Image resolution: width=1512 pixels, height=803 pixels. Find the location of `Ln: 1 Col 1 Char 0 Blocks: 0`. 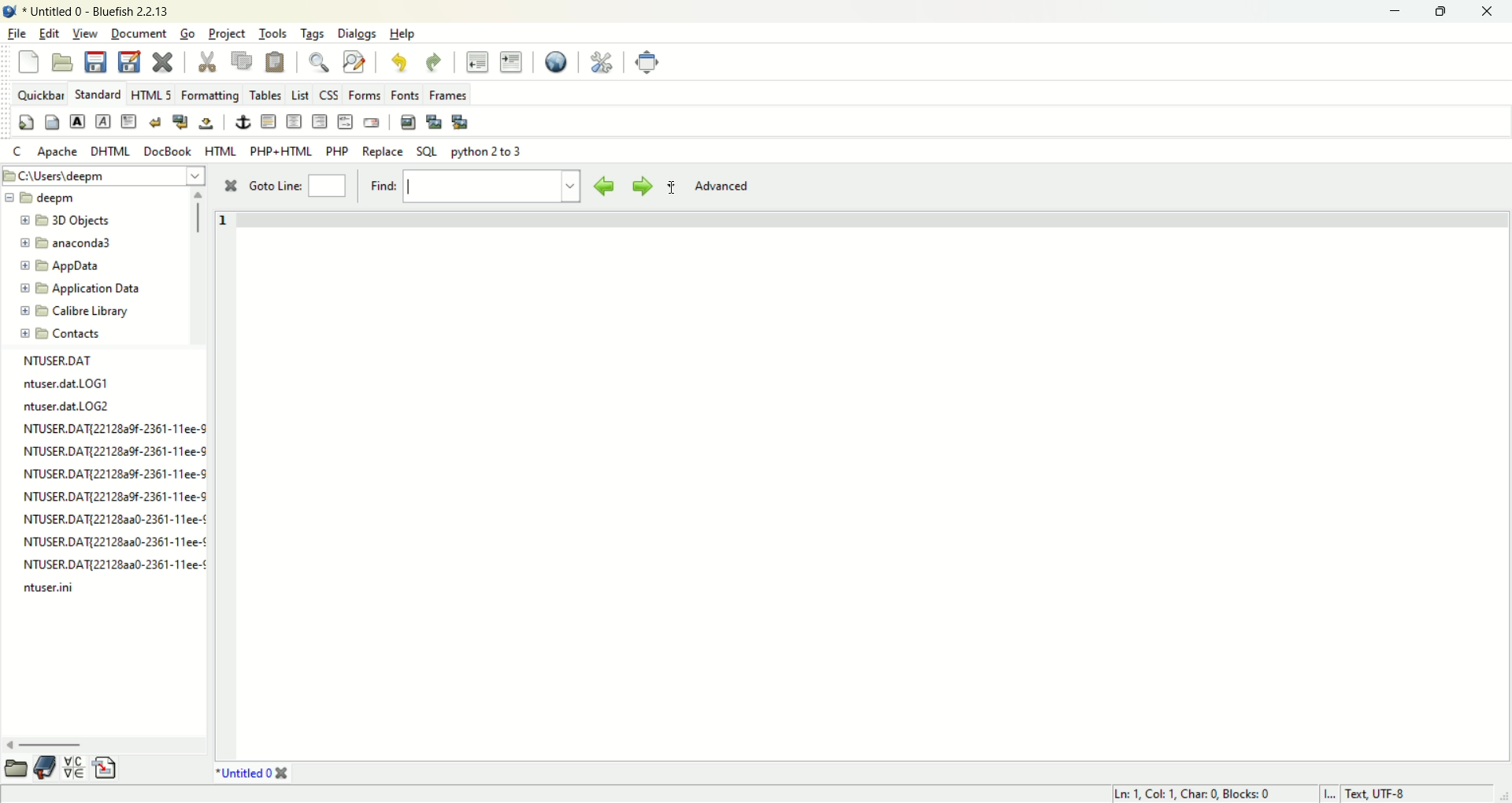

Ln: 1 Col 1 Char 0 Blocks: 0 is located at coordinates (1189, 793).